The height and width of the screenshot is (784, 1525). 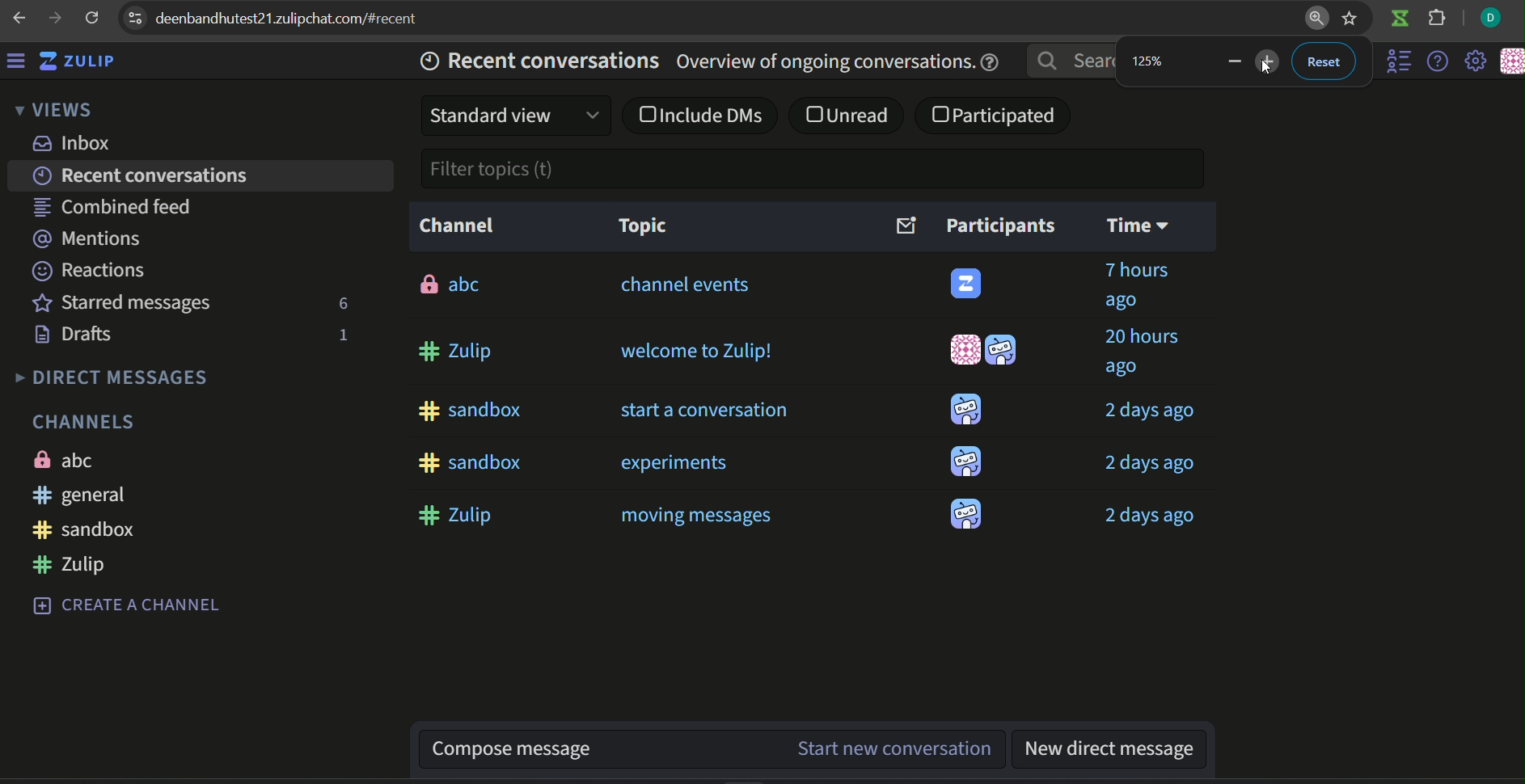 I want to click on #zulip, so click(x=68, y=563).